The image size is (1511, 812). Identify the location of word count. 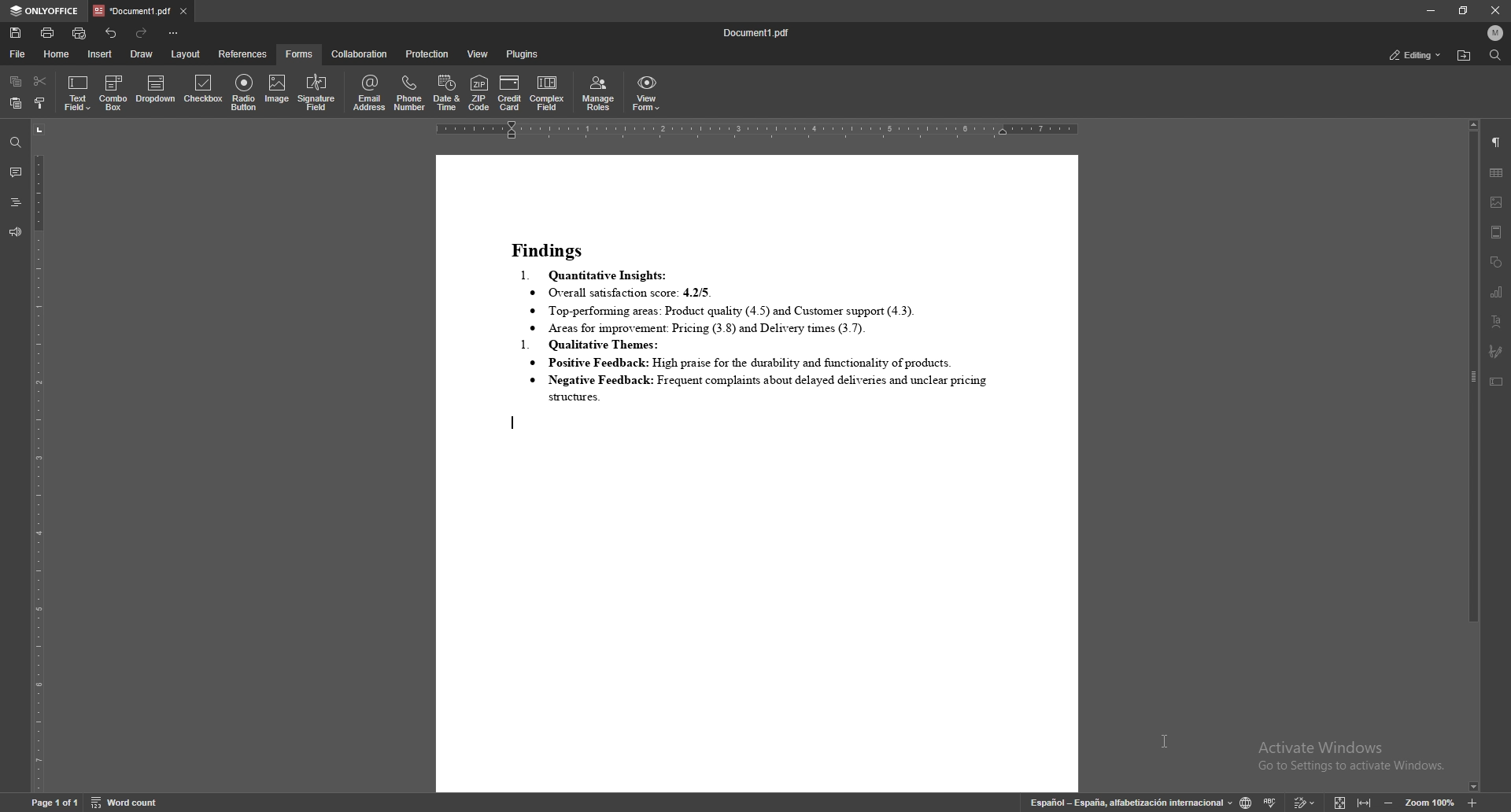
(126, 803).